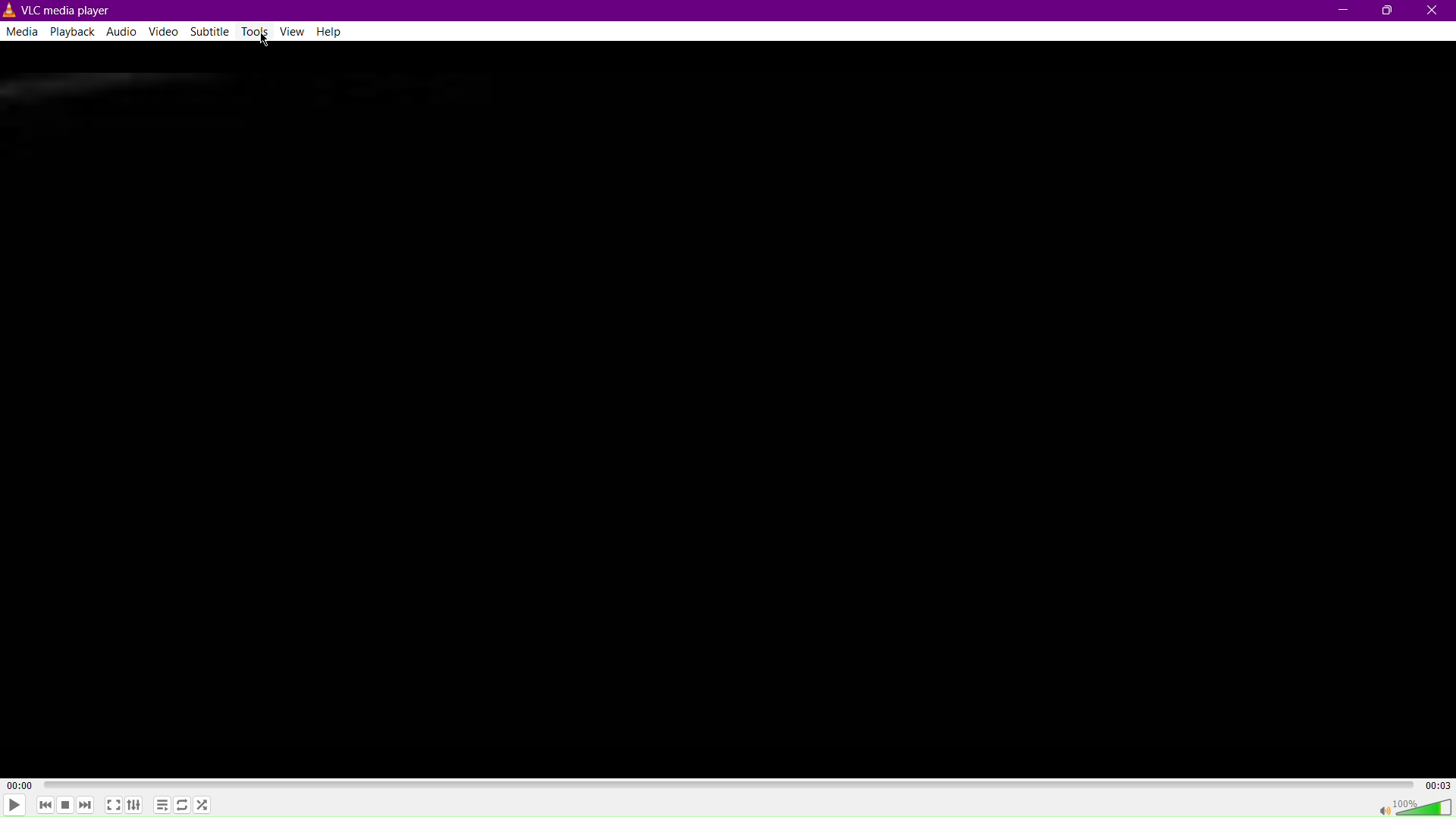 This screenshot has height=817, width=1456. I want to click on Skip forward, so click(86, 804).